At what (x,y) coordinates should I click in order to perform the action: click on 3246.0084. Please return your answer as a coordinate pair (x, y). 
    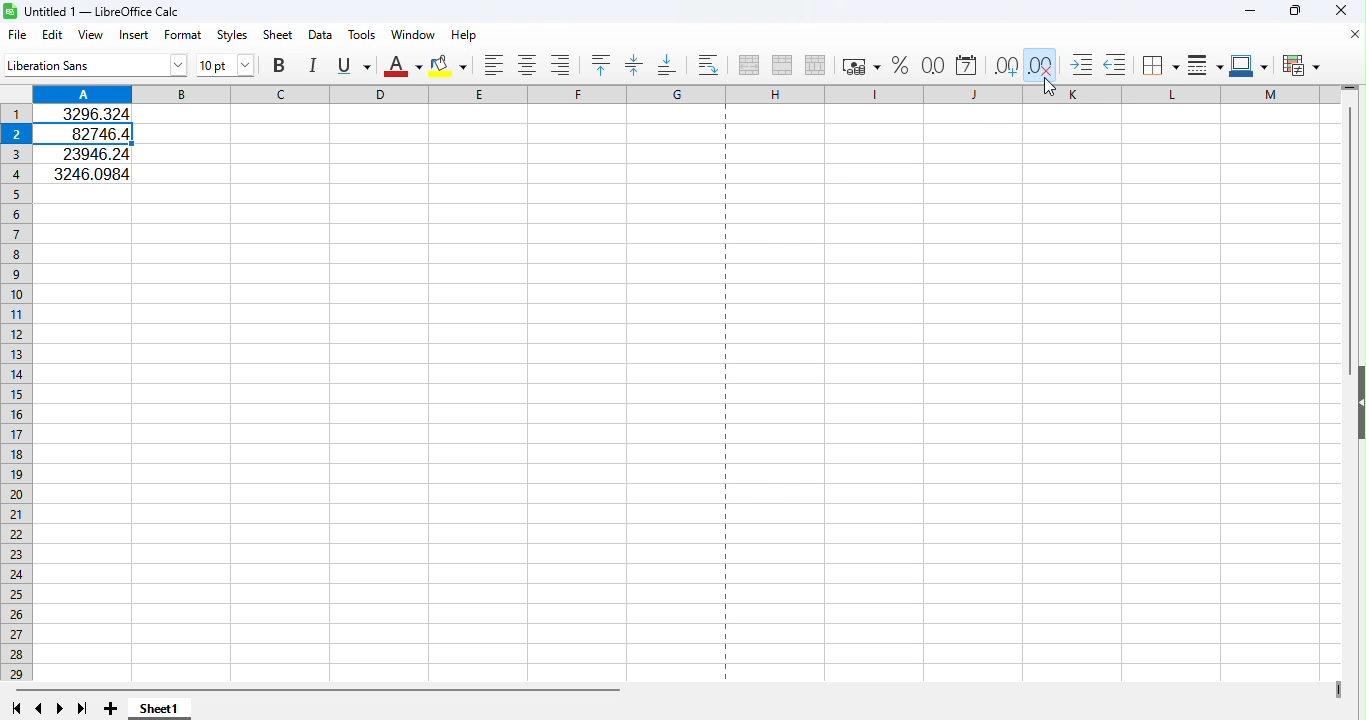
    Looking at the image, I should click on (91, 172).